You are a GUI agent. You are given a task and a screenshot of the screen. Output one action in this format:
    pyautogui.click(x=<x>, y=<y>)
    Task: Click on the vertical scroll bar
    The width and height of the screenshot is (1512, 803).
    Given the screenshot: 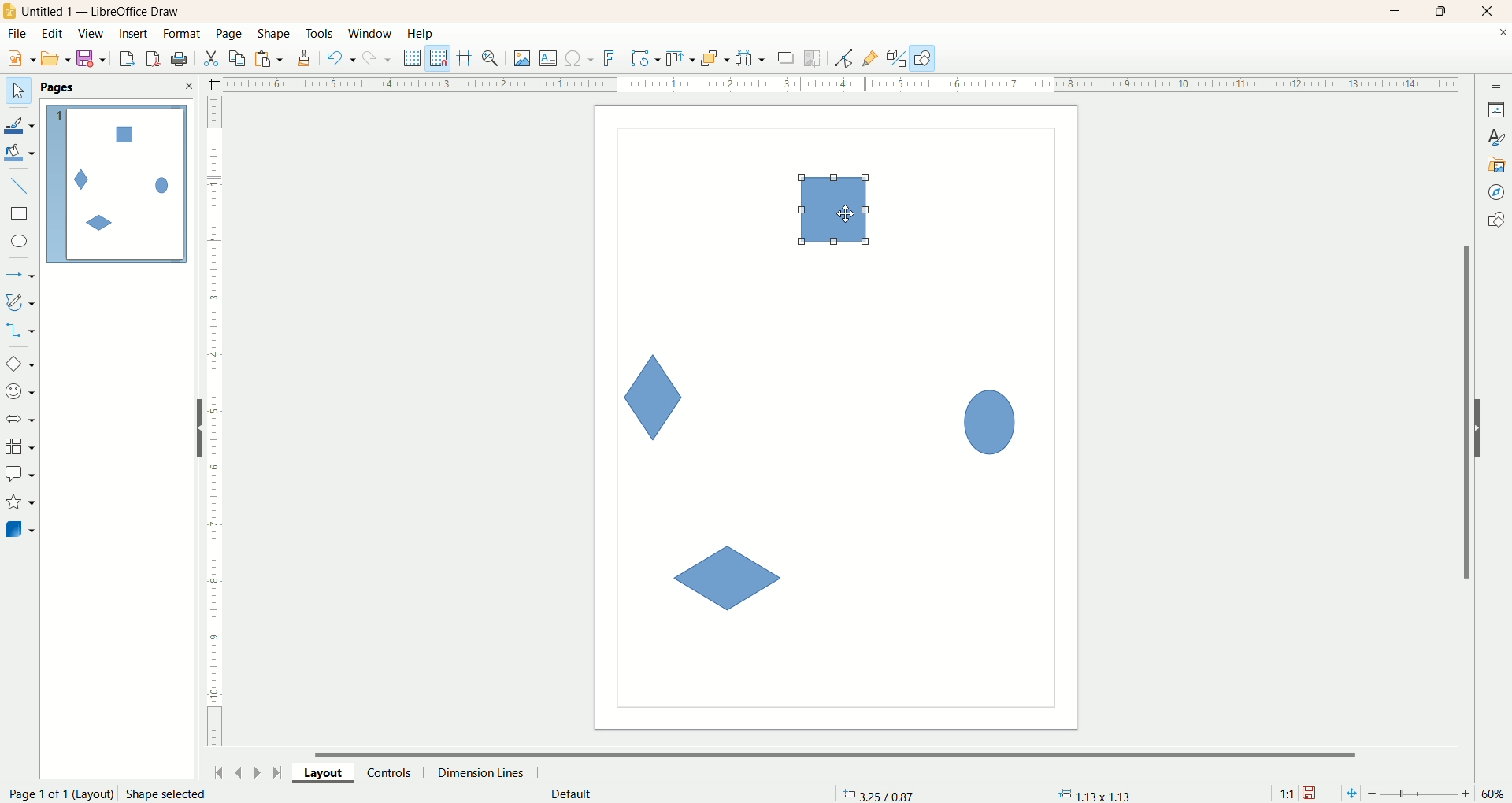 What is the action you would take?
    pyautogui.click(x=1463, y=412)
    